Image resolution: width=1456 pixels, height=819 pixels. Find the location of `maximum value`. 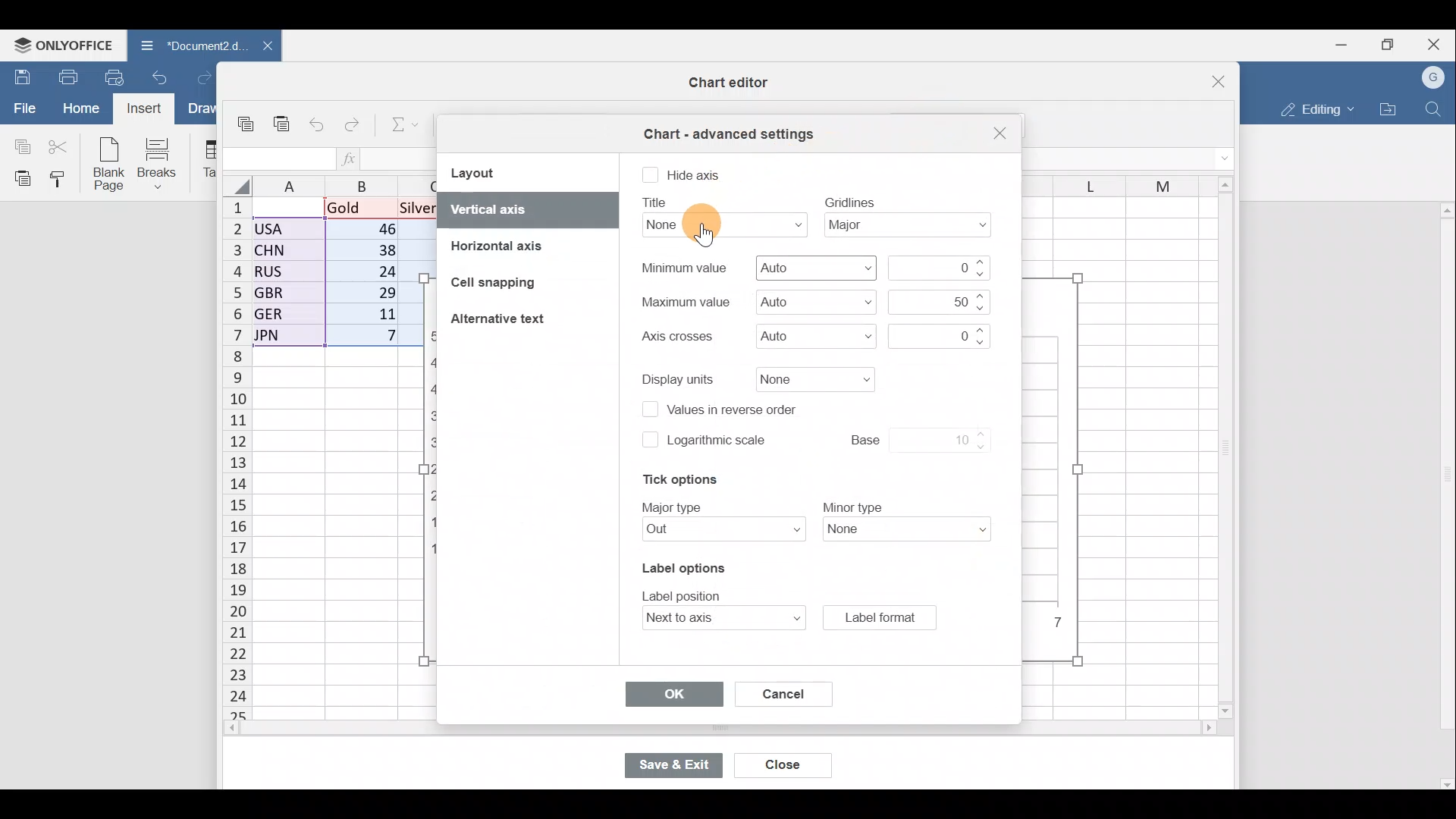

maximum value is located at coordinates (937, 302).